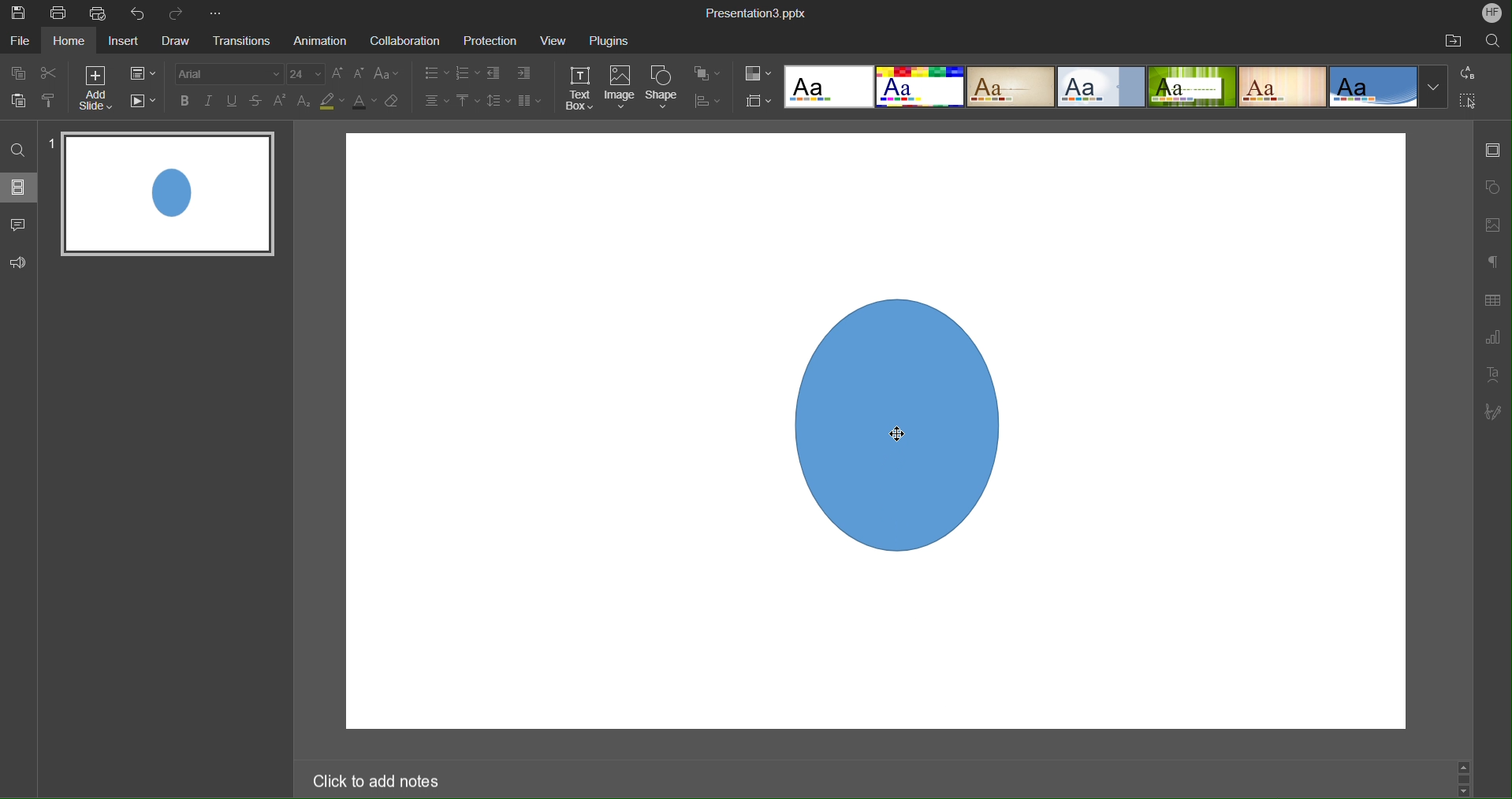  Describe the element at coordinates (1495, 225) in the screenshot. I see `Image Settings` at that location.